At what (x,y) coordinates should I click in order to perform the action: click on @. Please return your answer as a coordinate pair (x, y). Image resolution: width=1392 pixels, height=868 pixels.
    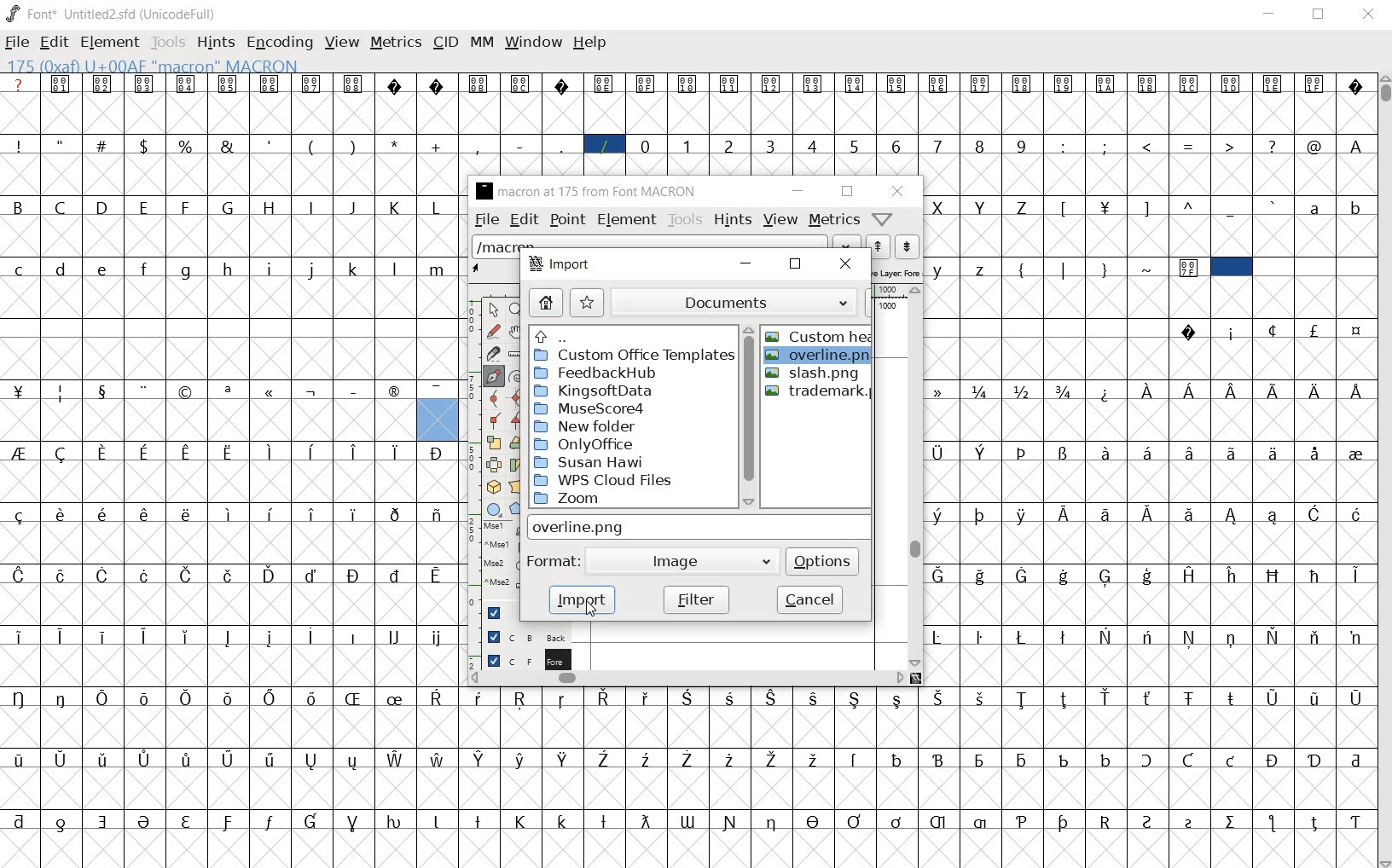
    Looking at the image, I should click on (1317, 147).